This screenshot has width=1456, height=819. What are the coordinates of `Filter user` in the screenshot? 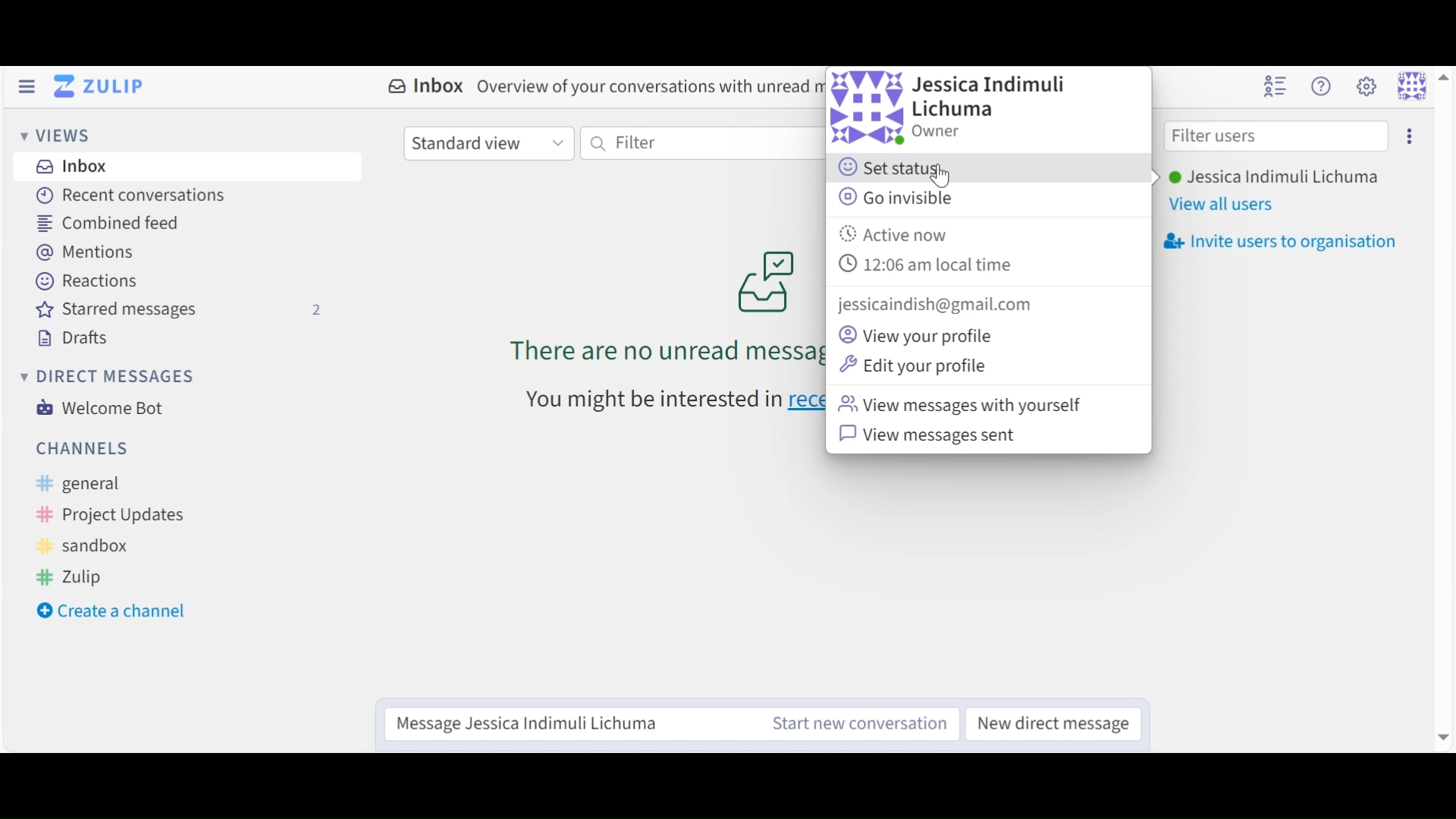 It's located at (1276, 137).